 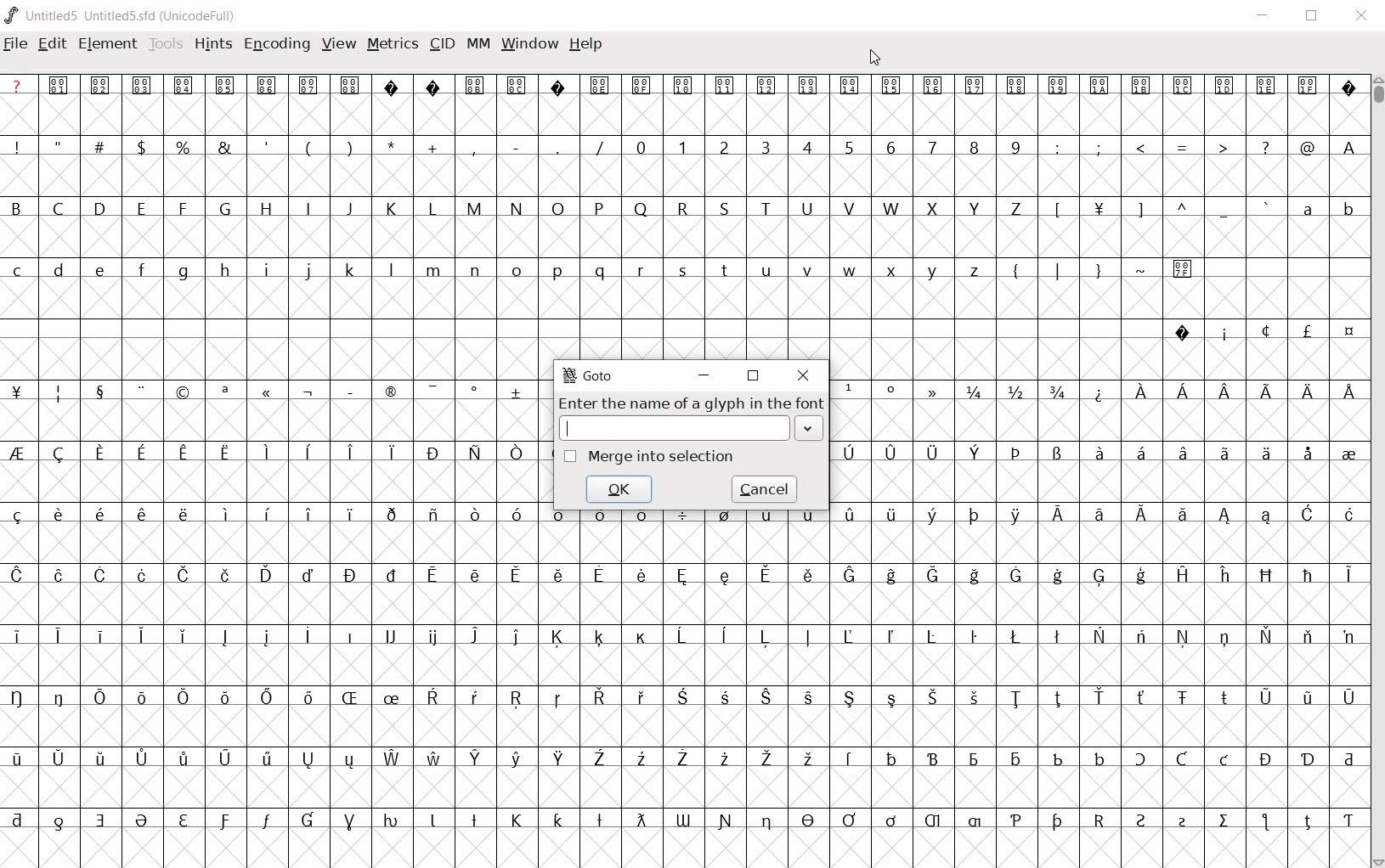 What do you see at coordinates (682, 634) in the screenshot?
I see `Symbol` at bounding box center [682, 634].